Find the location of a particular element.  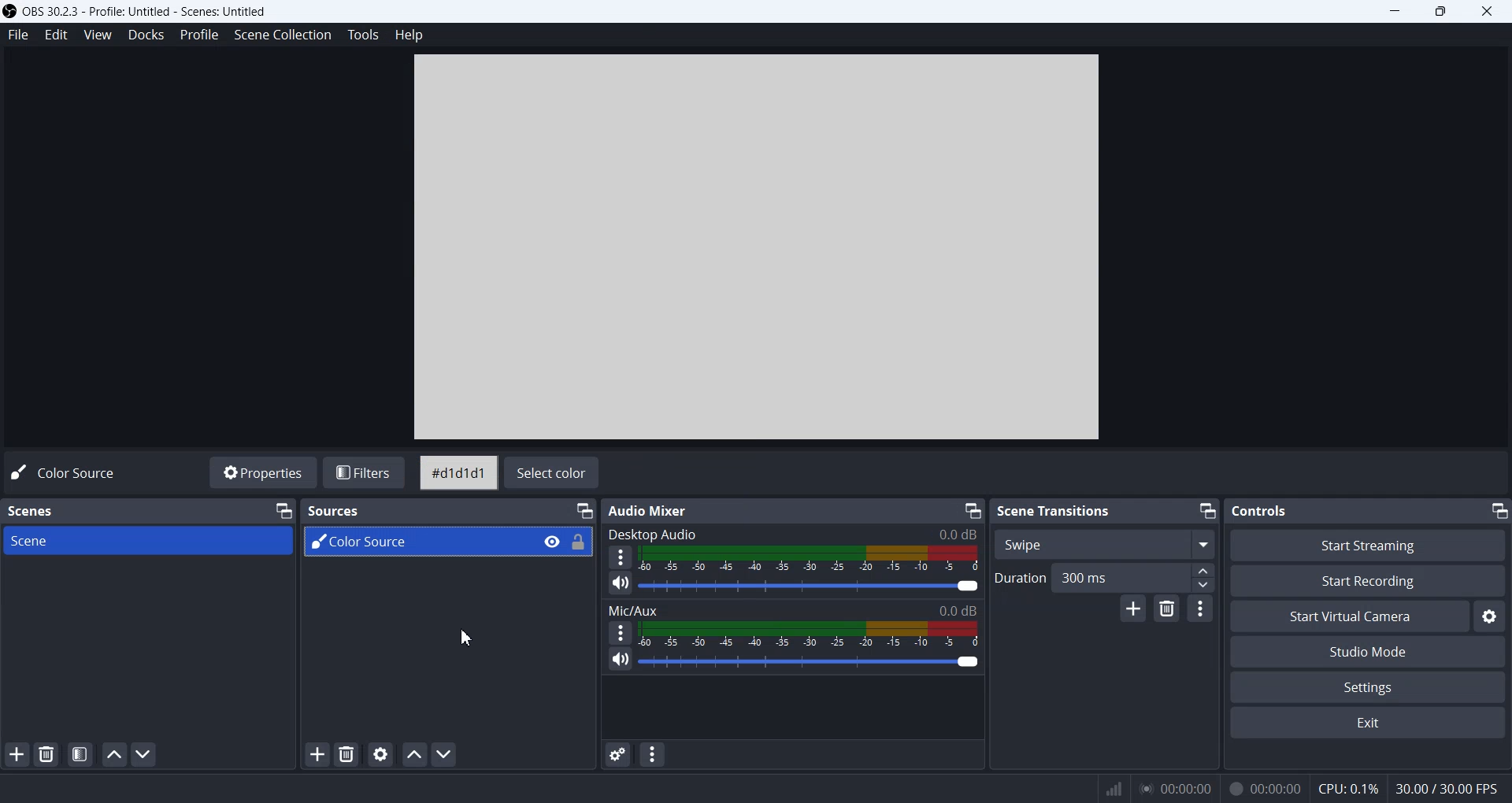

Open Source Properties is located at coordinates (380, 754).